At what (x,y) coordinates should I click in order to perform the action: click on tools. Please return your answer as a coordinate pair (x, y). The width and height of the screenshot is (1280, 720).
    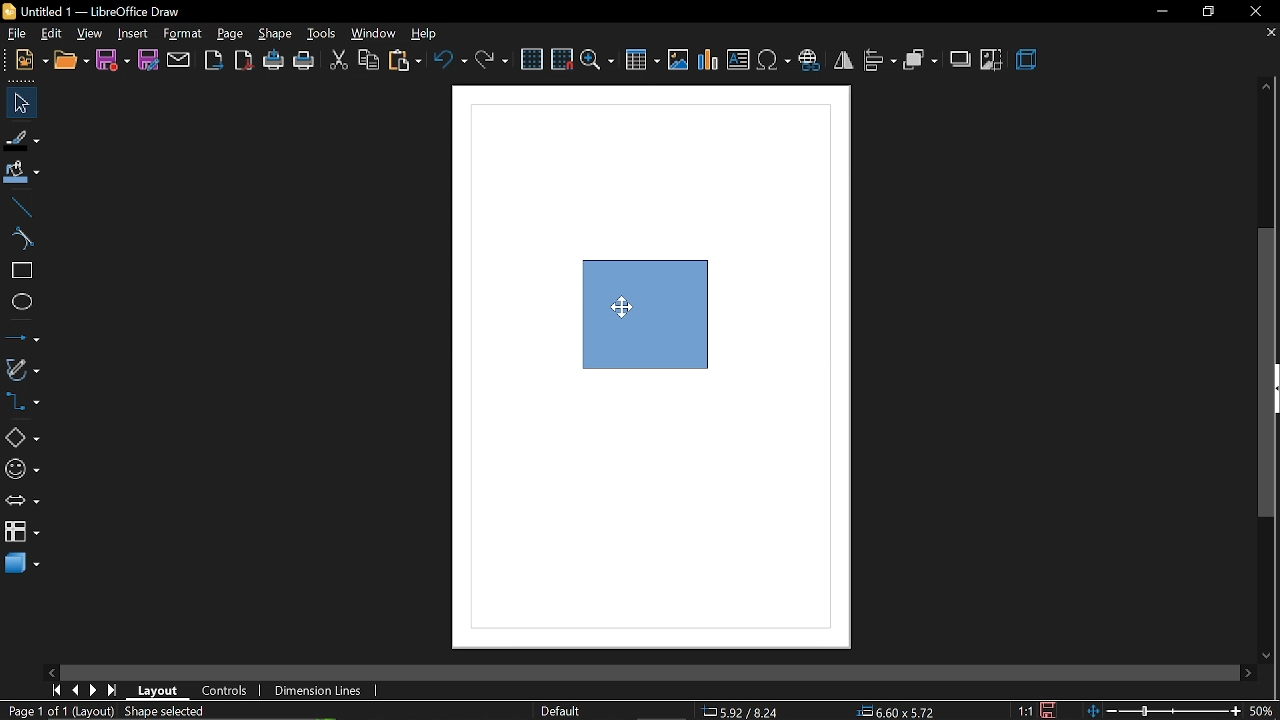
    Looking at the image, I should click on (323, 35).